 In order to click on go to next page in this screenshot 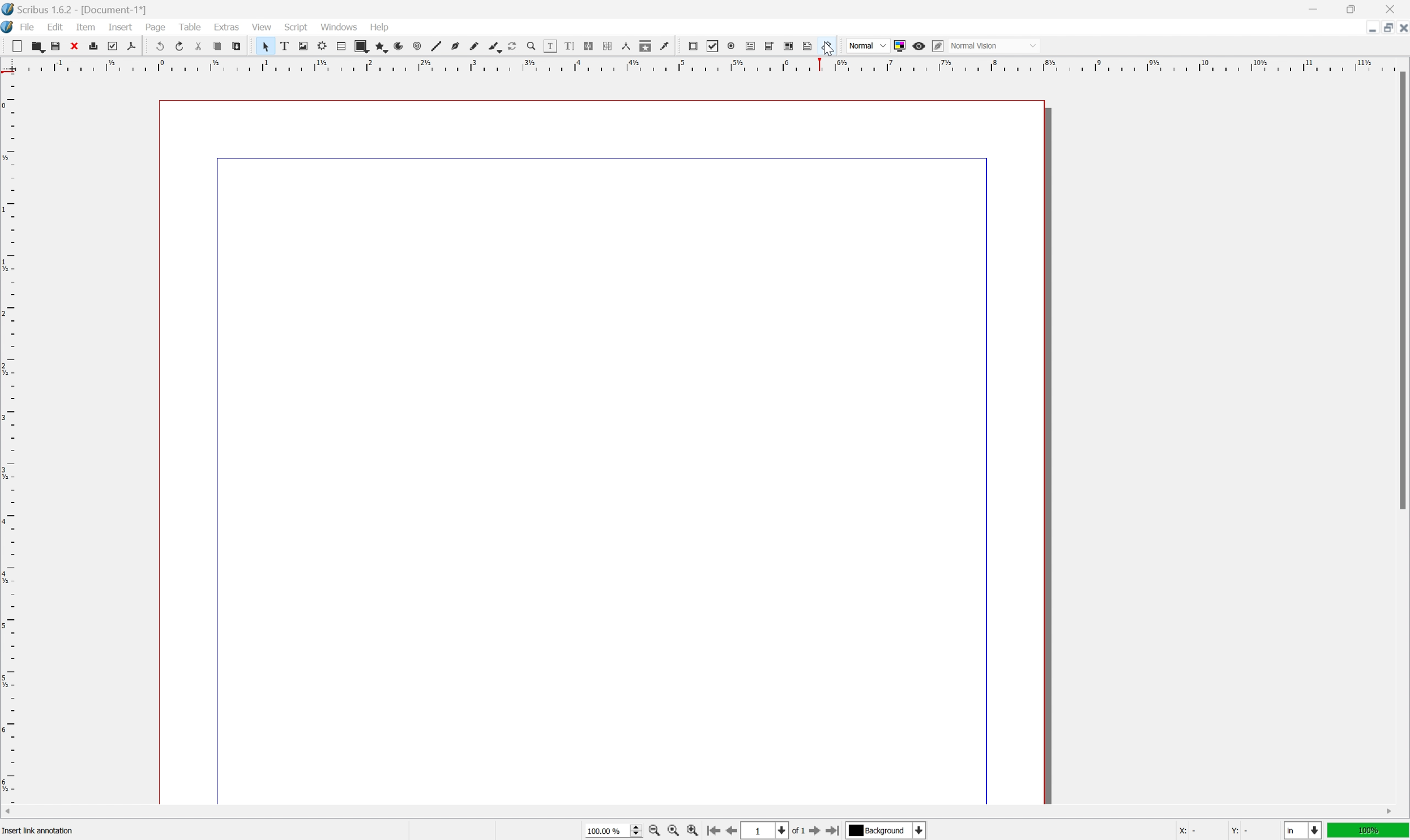, I will do `click(817, 832)`.